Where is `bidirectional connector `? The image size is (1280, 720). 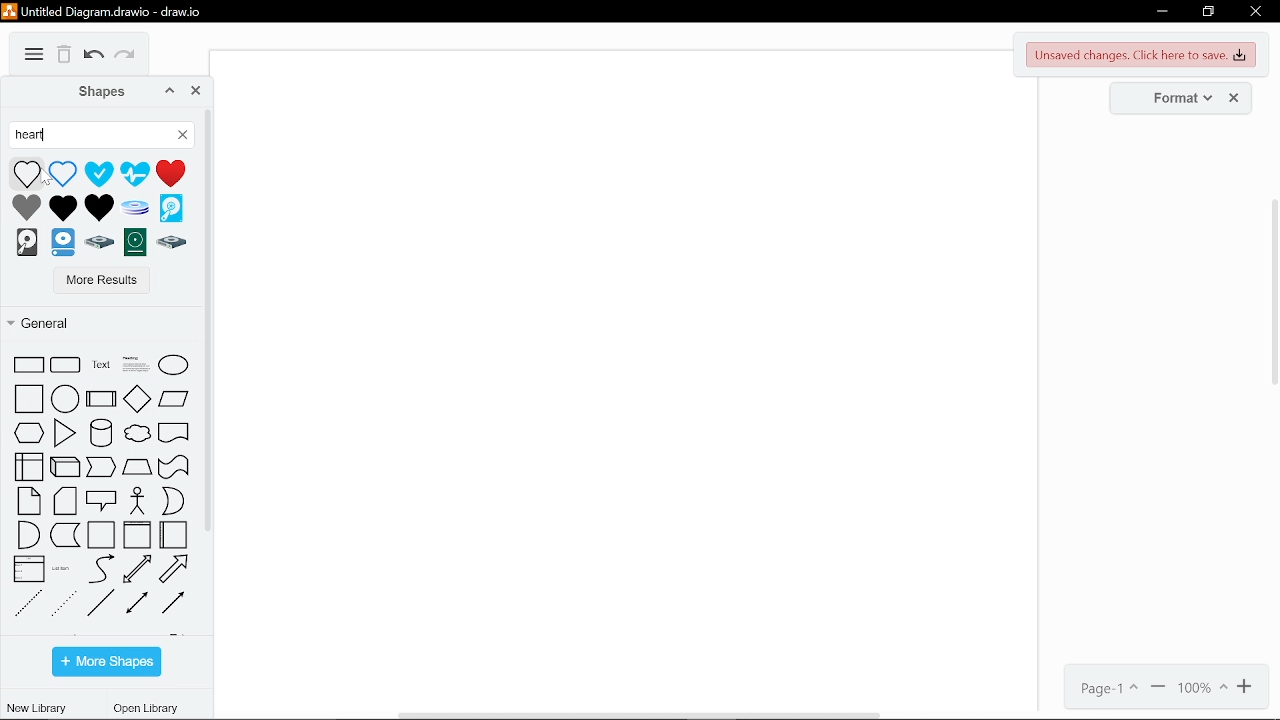 bidirectional connector  is located at coordinates (138, 603).